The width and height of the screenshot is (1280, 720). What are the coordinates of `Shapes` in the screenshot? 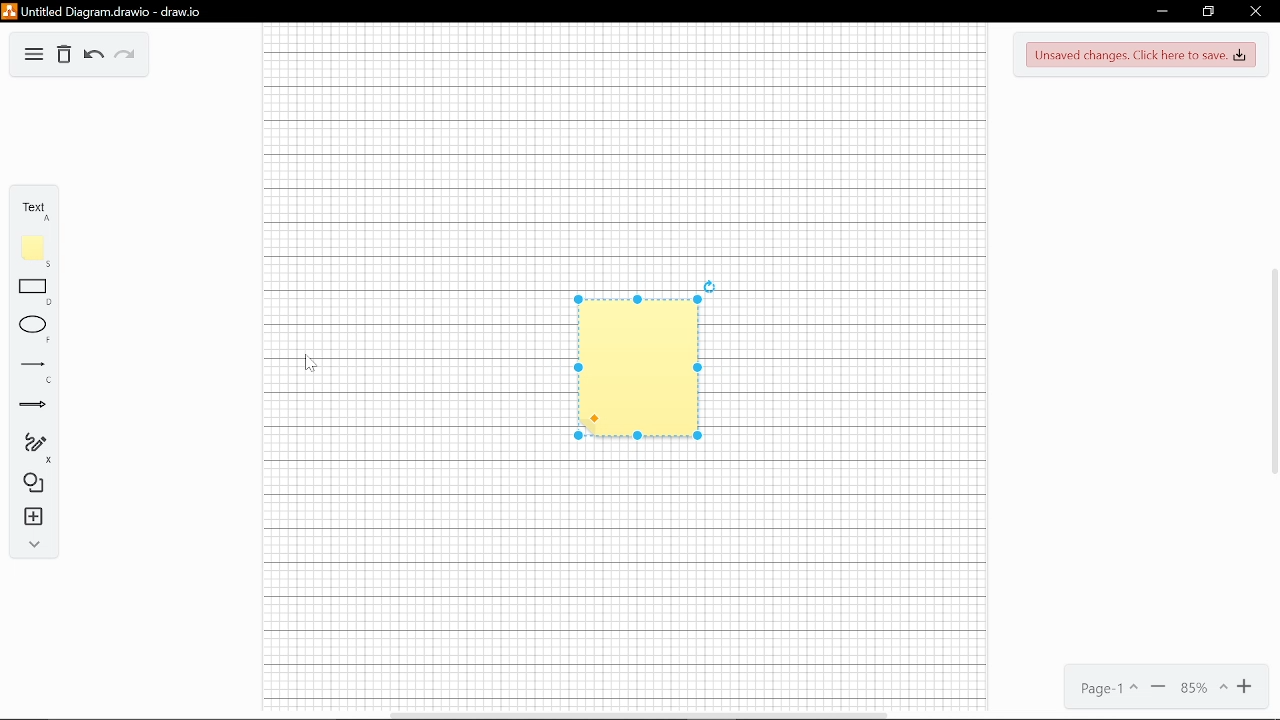 It's located at (31, 483).